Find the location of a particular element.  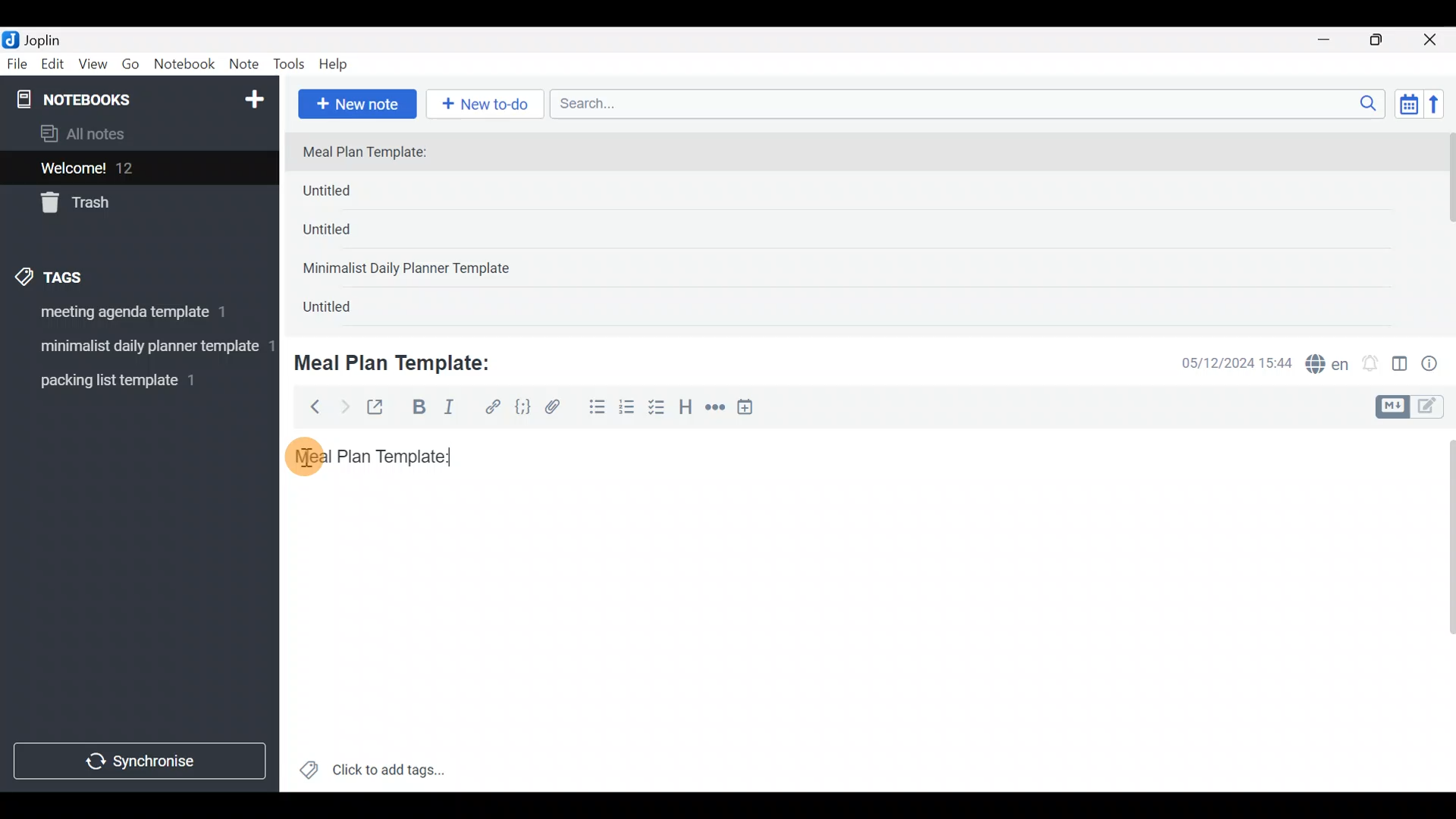

Go is located at coordinates (130, 67).